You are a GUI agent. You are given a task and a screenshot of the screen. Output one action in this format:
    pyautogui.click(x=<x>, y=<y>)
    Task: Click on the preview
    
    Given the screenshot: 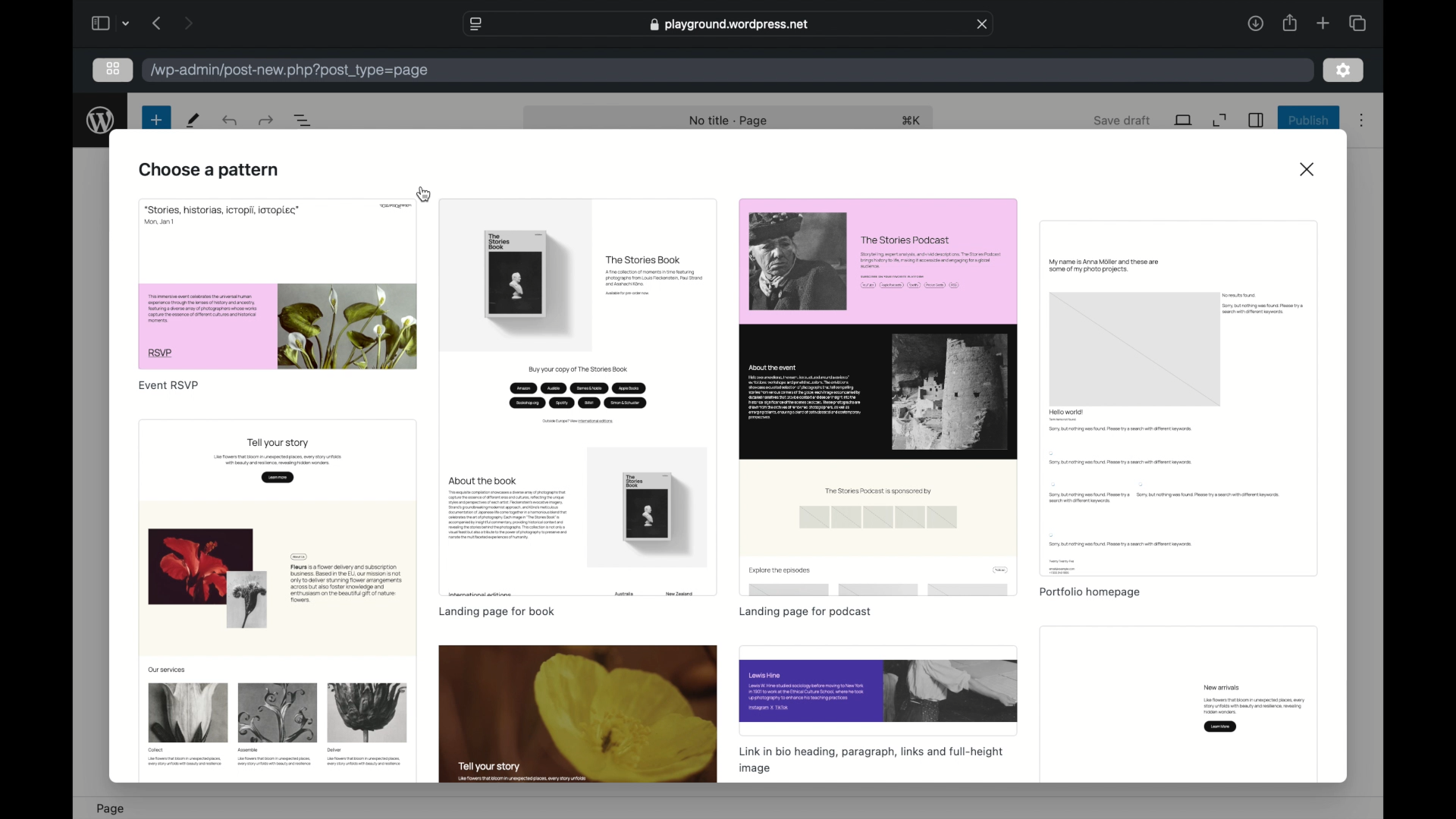 What is the action you would take?
    pyautogui.click(x=1178, y=399)
    